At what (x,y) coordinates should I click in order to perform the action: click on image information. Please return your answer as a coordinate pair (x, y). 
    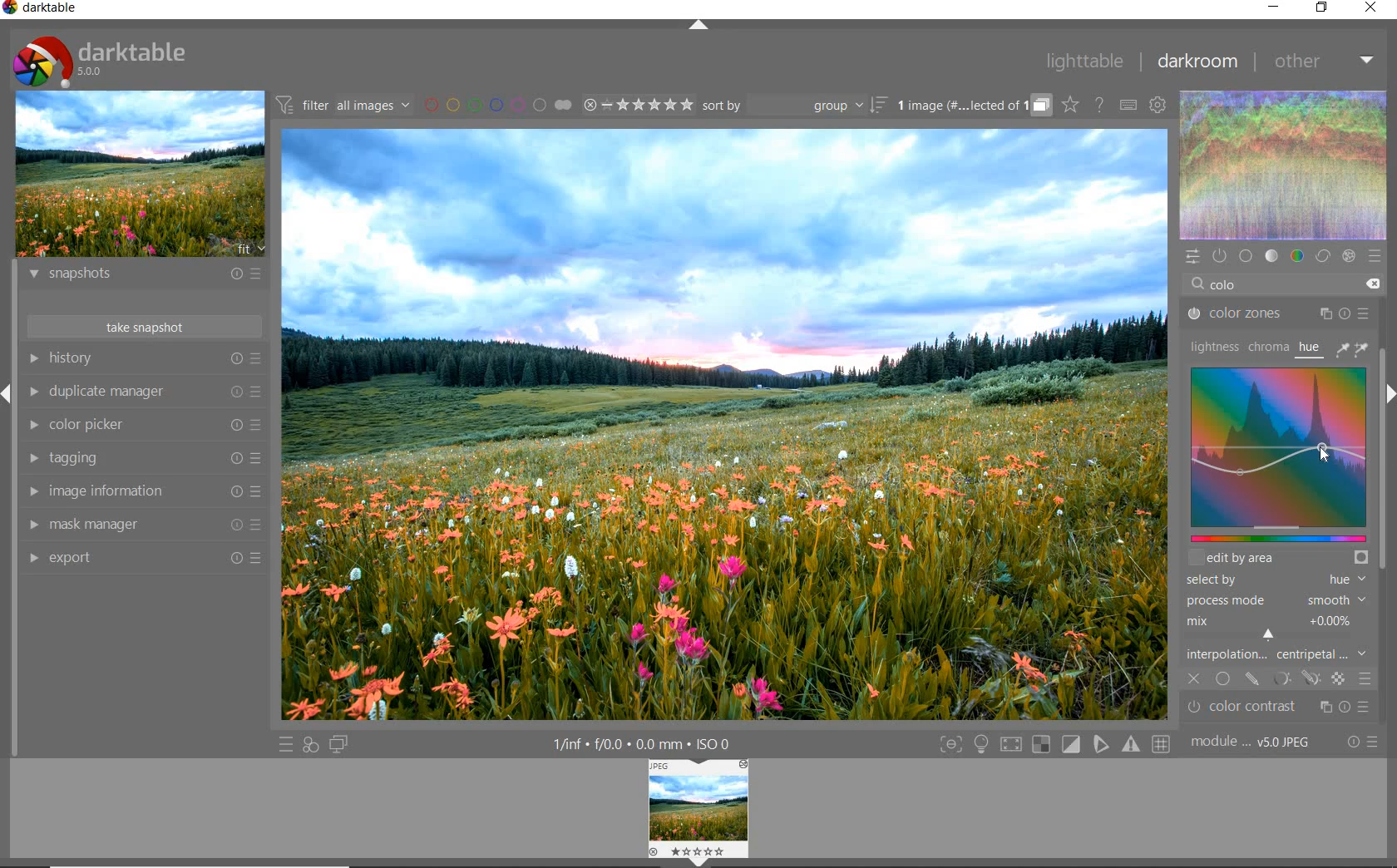
    Looking at the image, I should click on (141, 492).